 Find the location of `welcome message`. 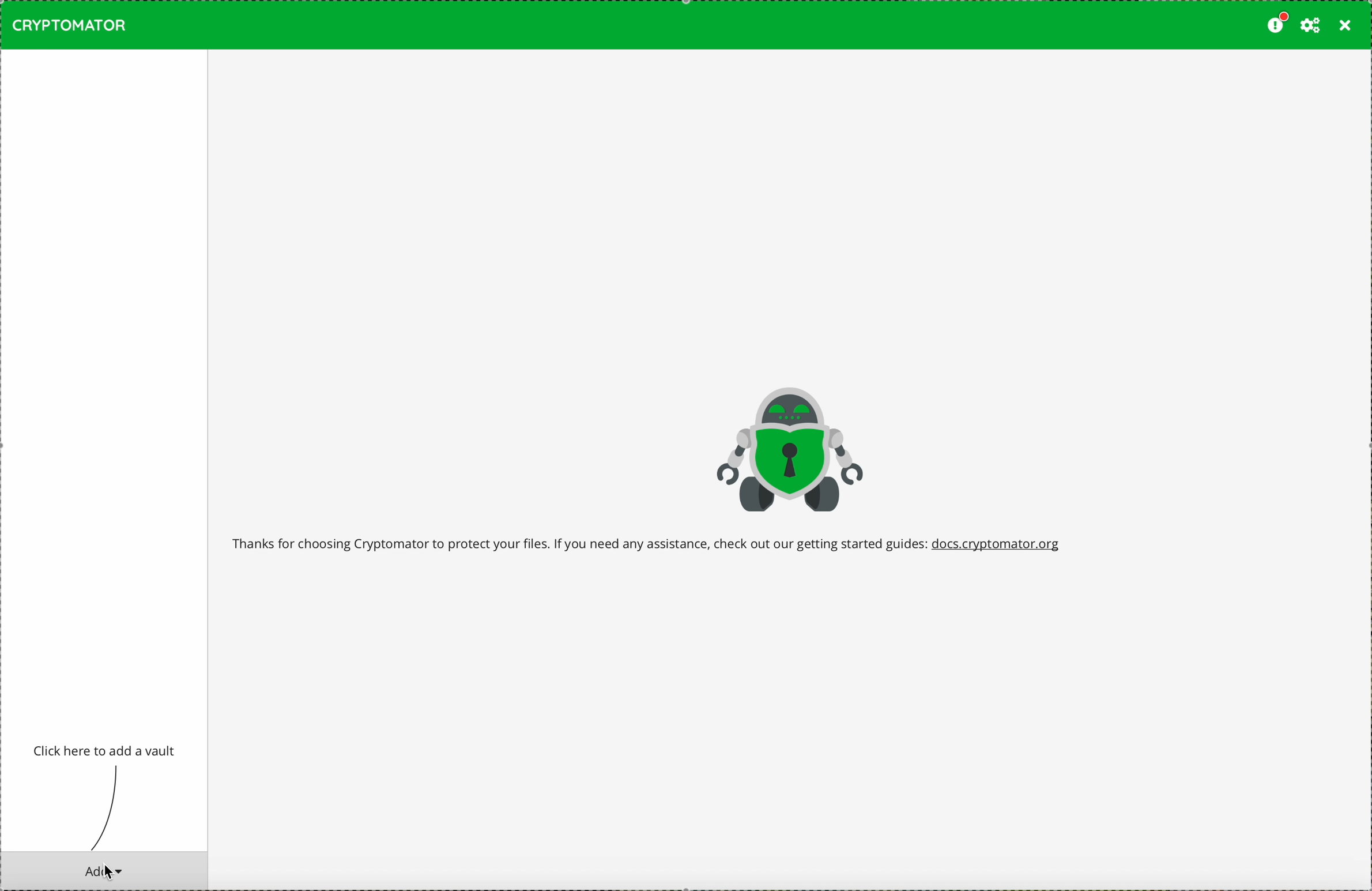

welcome message is located at coordinates (646, 544).